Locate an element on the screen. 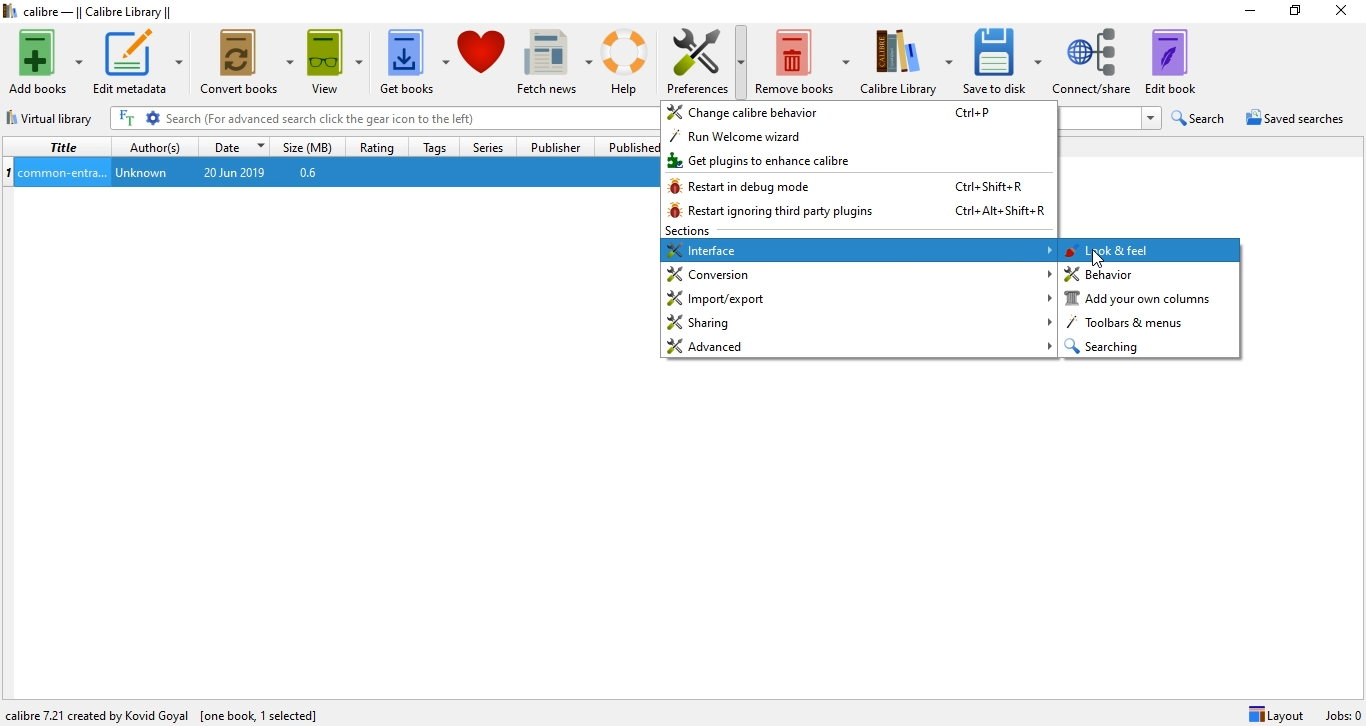  Donate to calibre is located at coordinates (483, 60).